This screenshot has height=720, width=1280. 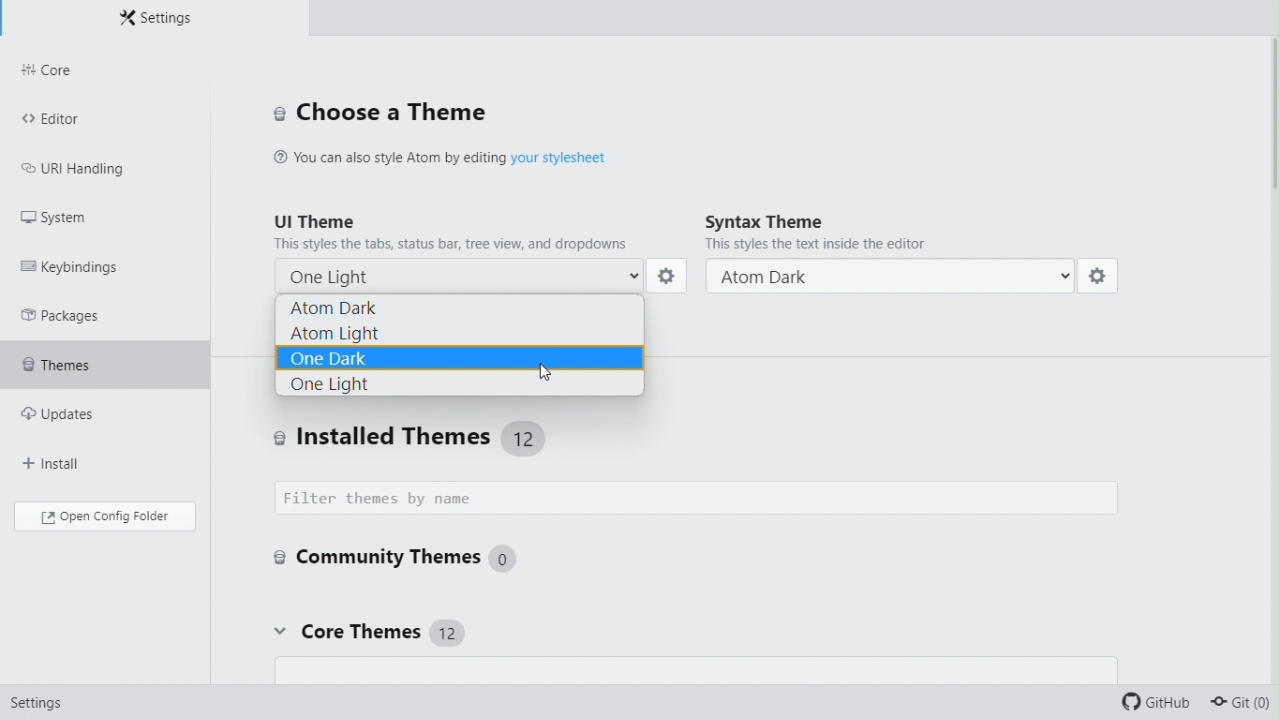 What do you see at coordinates (164, 20) in the screenshot?
I see `Settings` at bounding box center [164, 20].